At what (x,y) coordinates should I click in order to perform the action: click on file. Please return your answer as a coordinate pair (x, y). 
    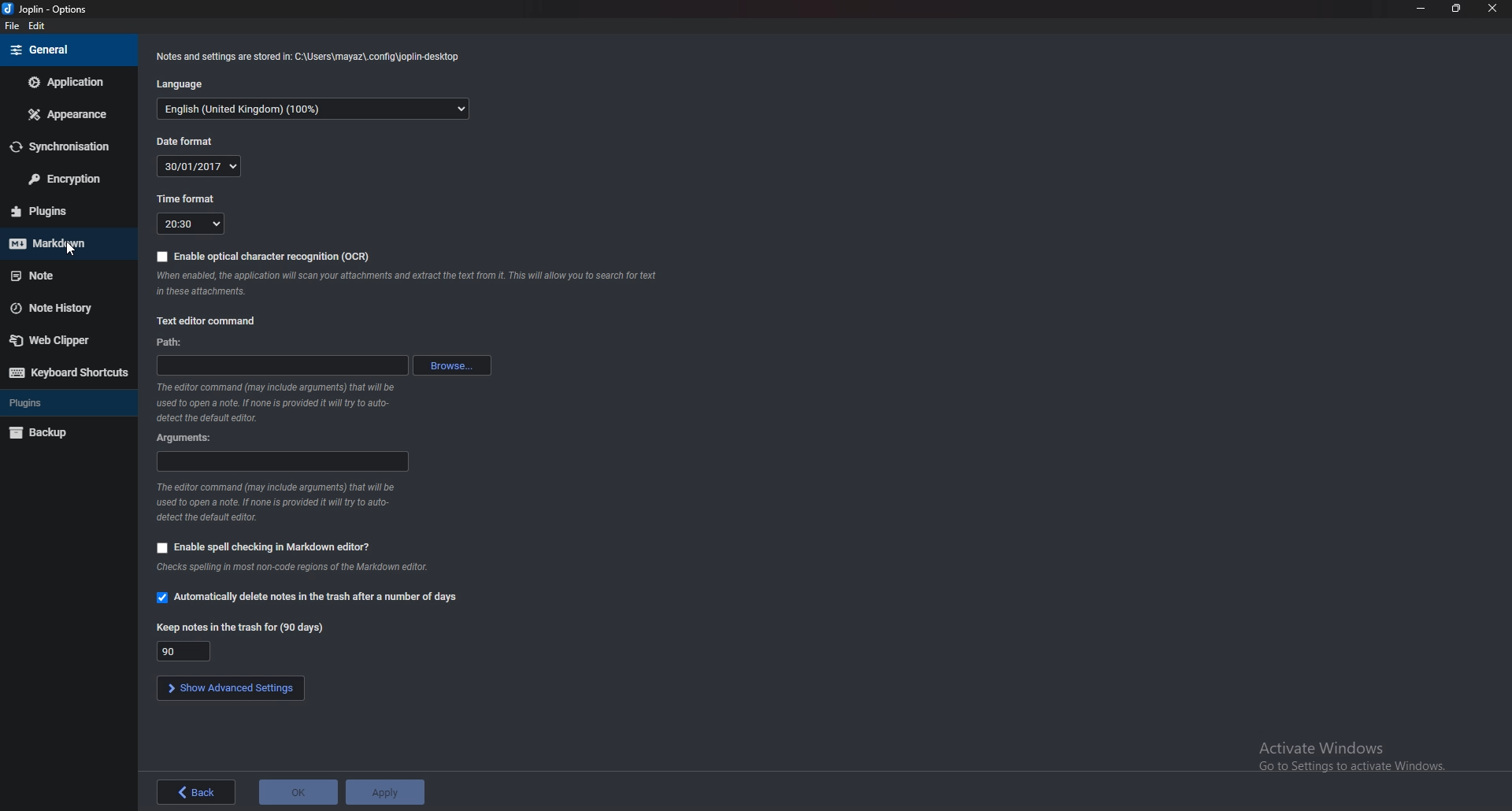
    Looking at the image, I should click on (11, 25).